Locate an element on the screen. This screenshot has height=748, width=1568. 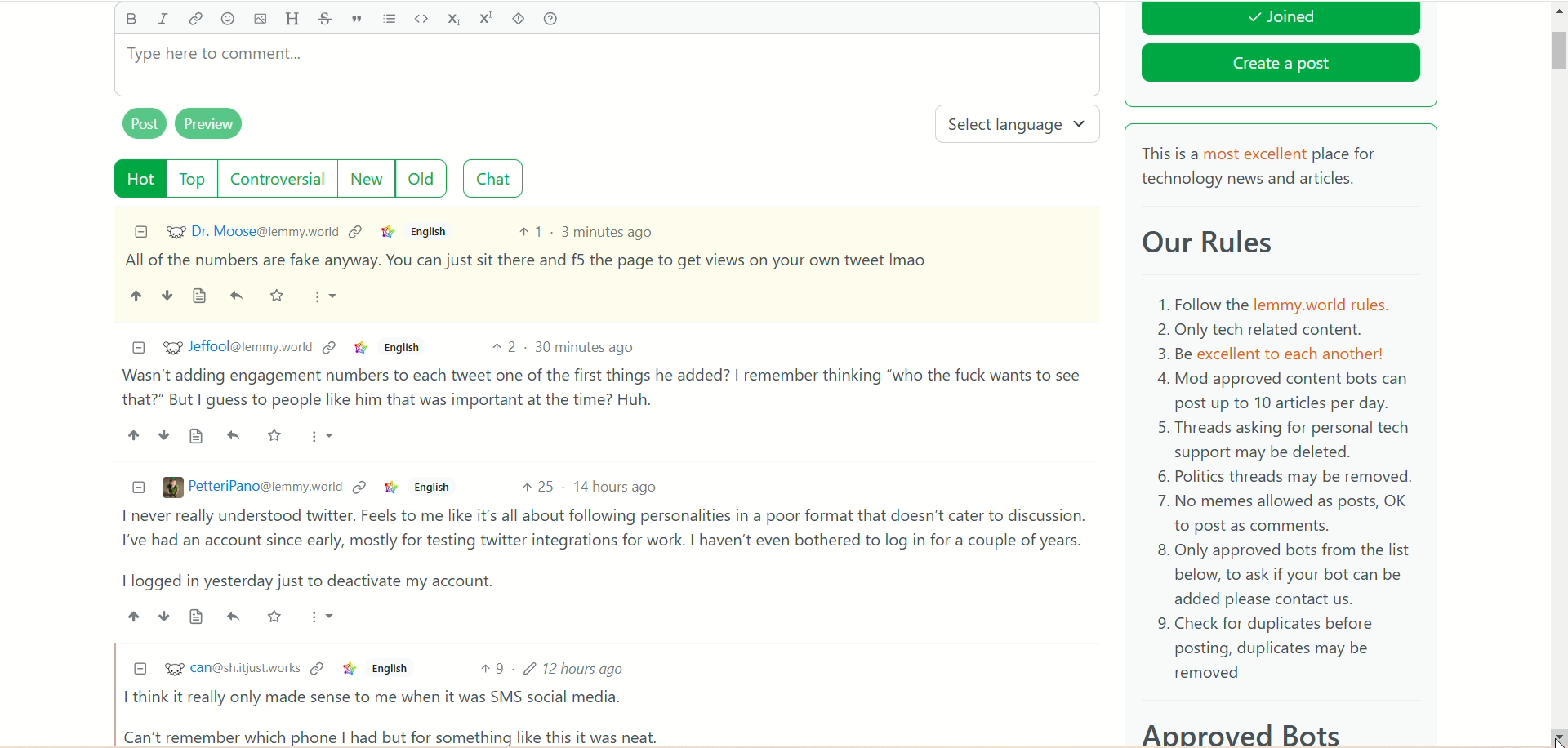
Upvote 25 is located at coordinates (537, 486).